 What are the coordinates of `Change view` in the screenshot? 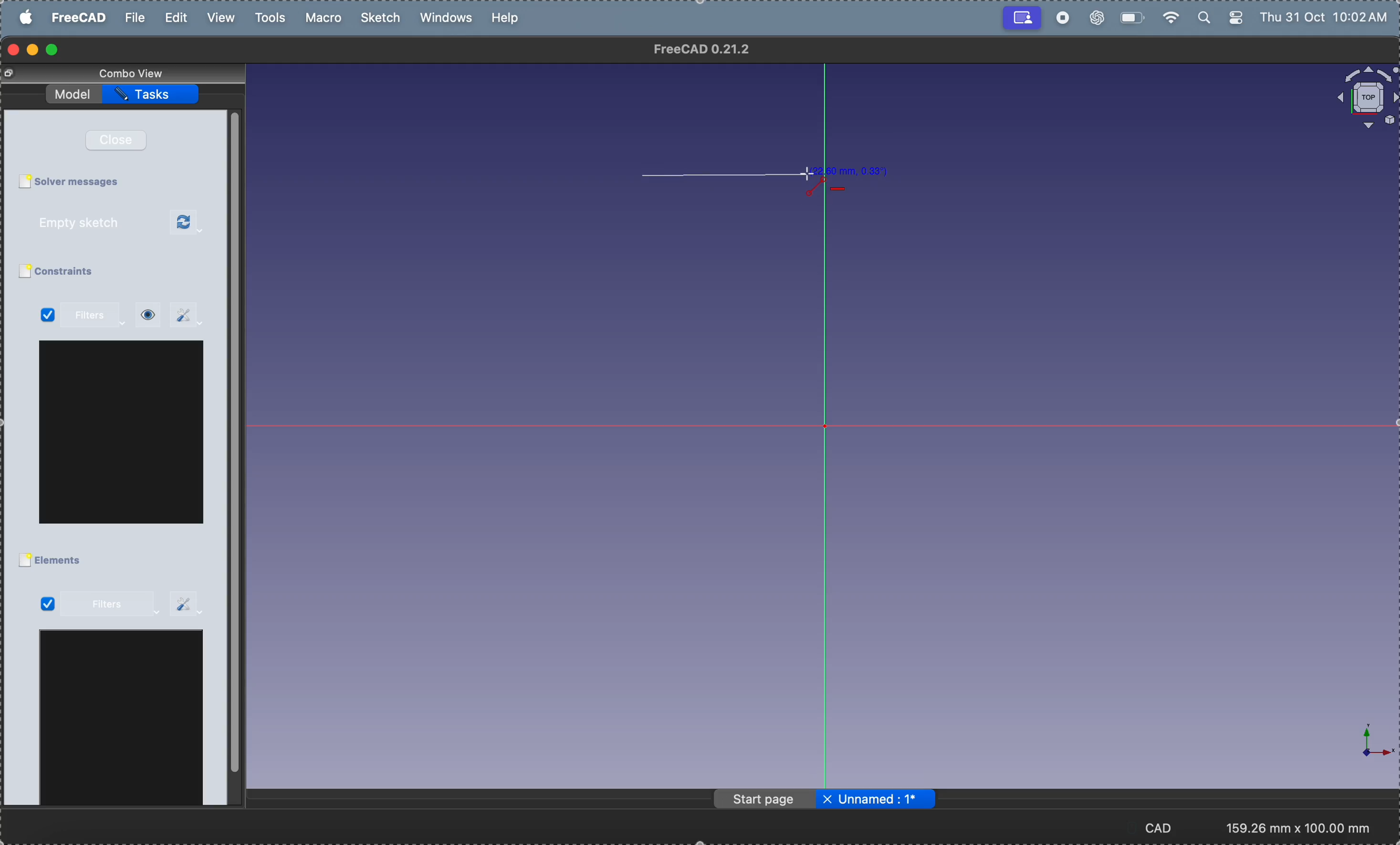 It's located at (12, 74).